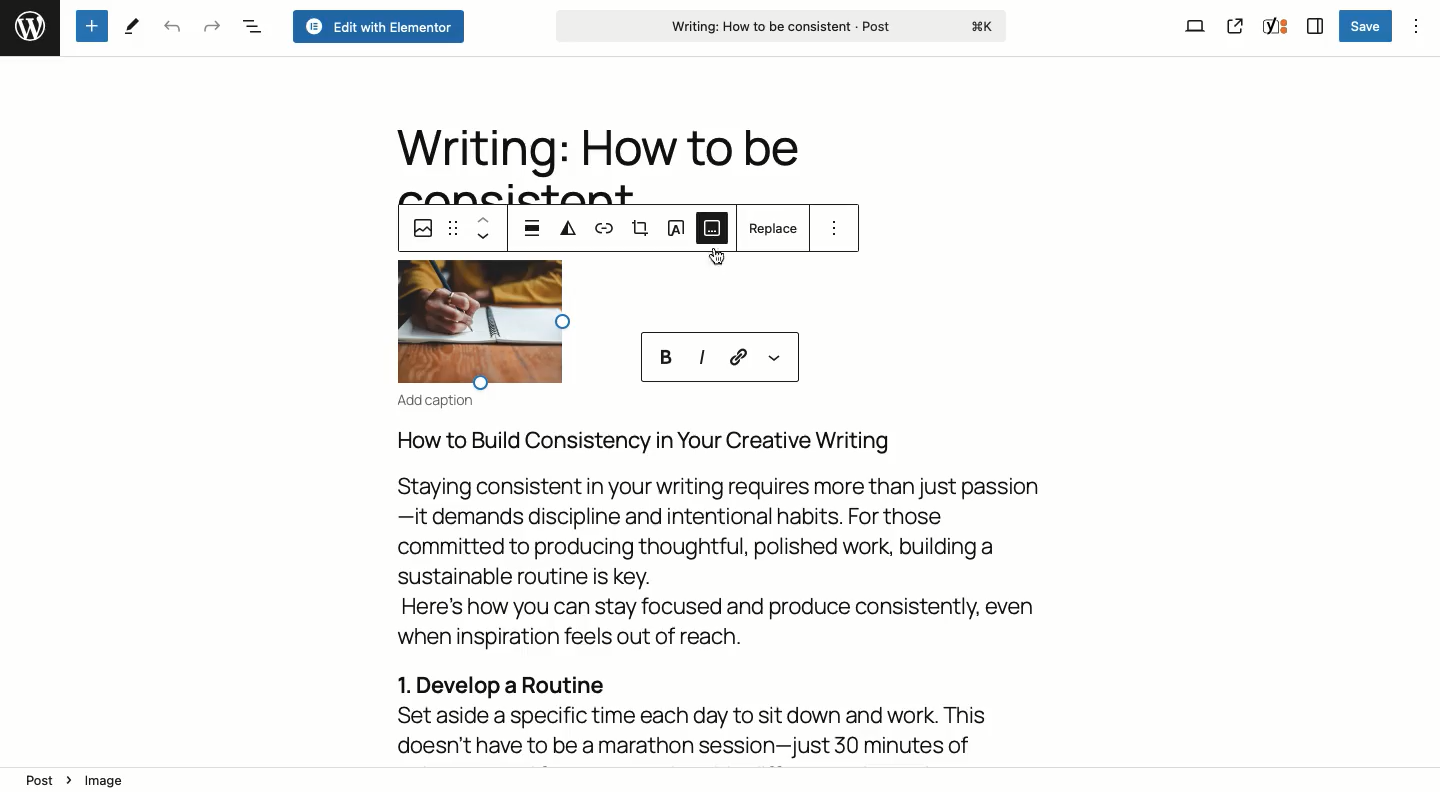  Describe the element at coordinates (534, 226) in the screenshot. I see `Align` at that location.